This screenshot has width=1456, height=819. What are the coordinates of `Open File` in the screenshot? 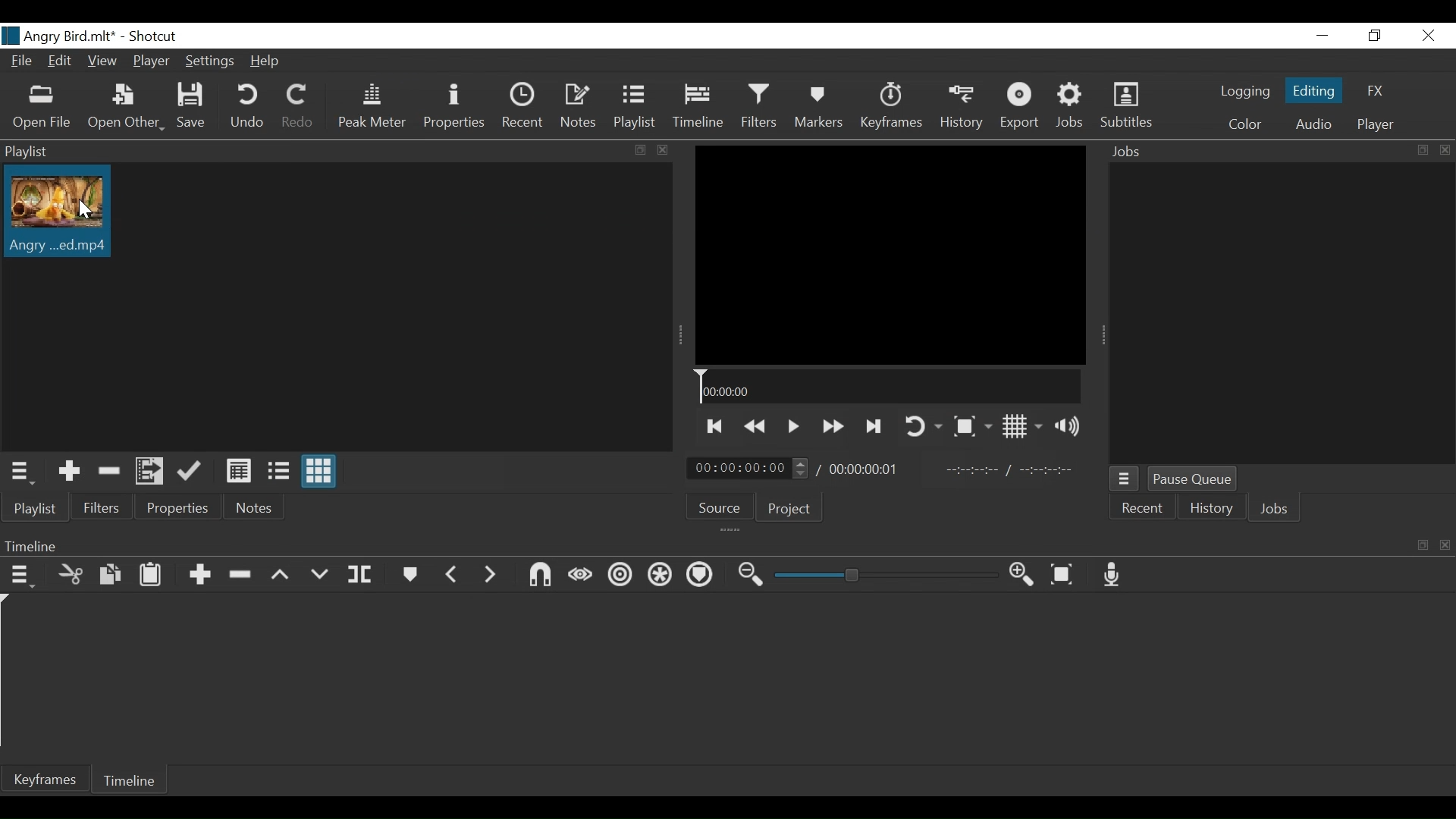 It's located at (42, 109).